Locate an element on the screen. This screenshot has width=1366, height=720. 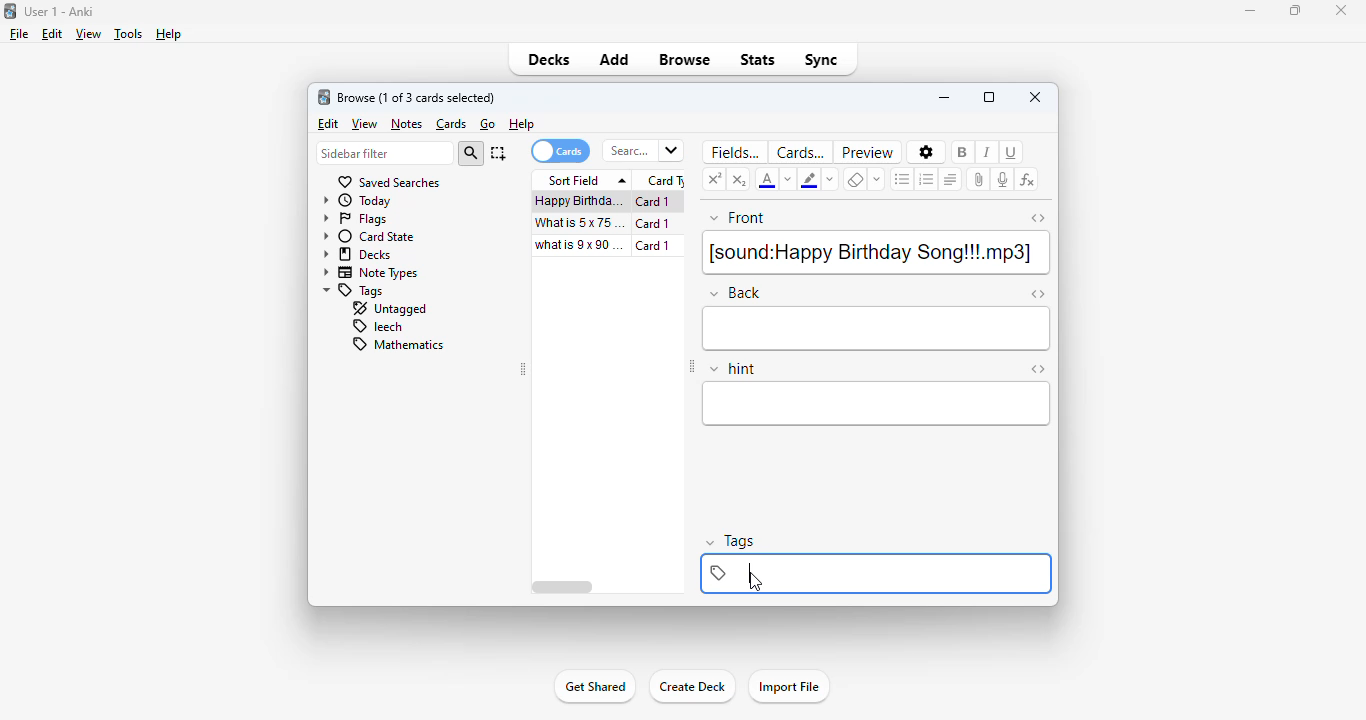
add is located at coordinates (616, 60).